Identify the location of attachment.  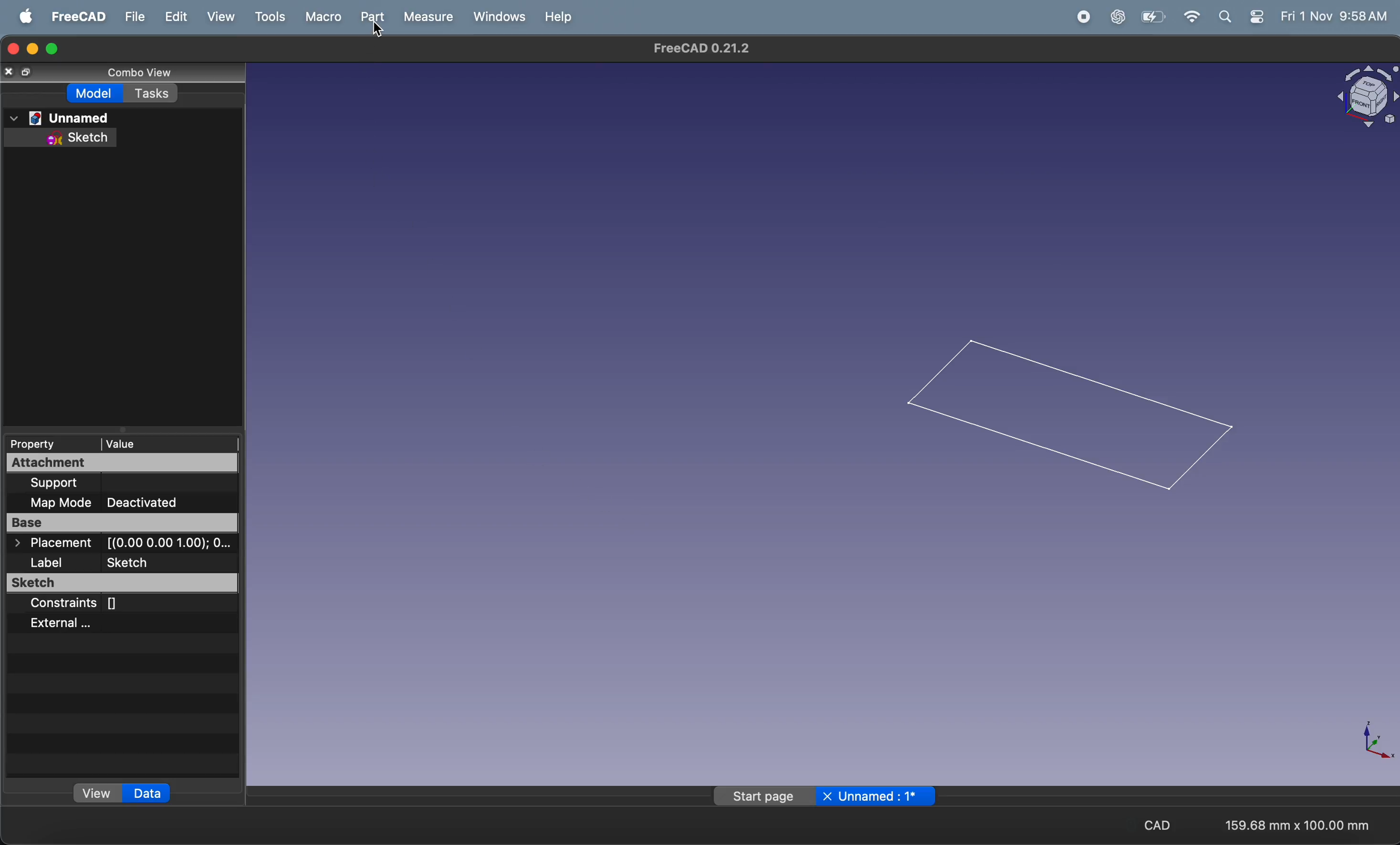
(76, 465).